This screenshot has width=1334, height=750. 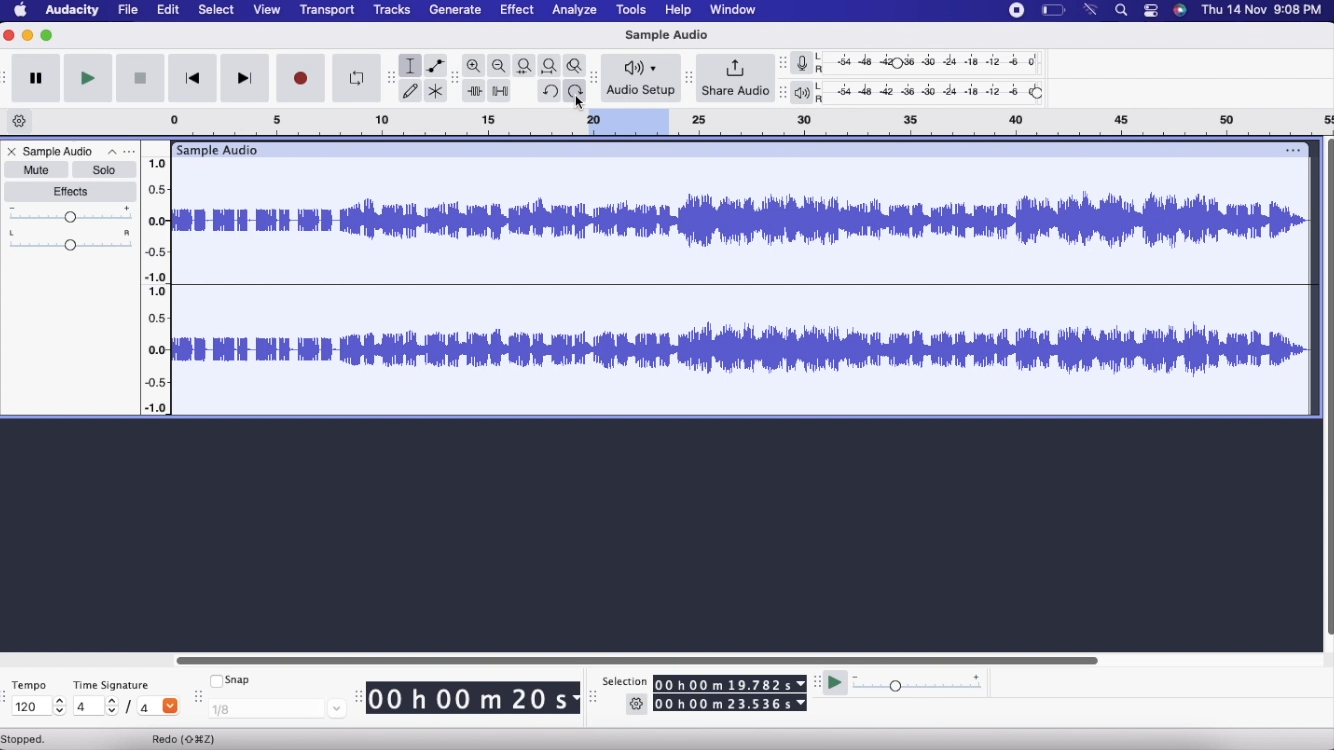 What do you see at coordinates (730, 703) in the screenshot?
I see `00 h 00 m 23.536s` at bounding box center [730, 703].